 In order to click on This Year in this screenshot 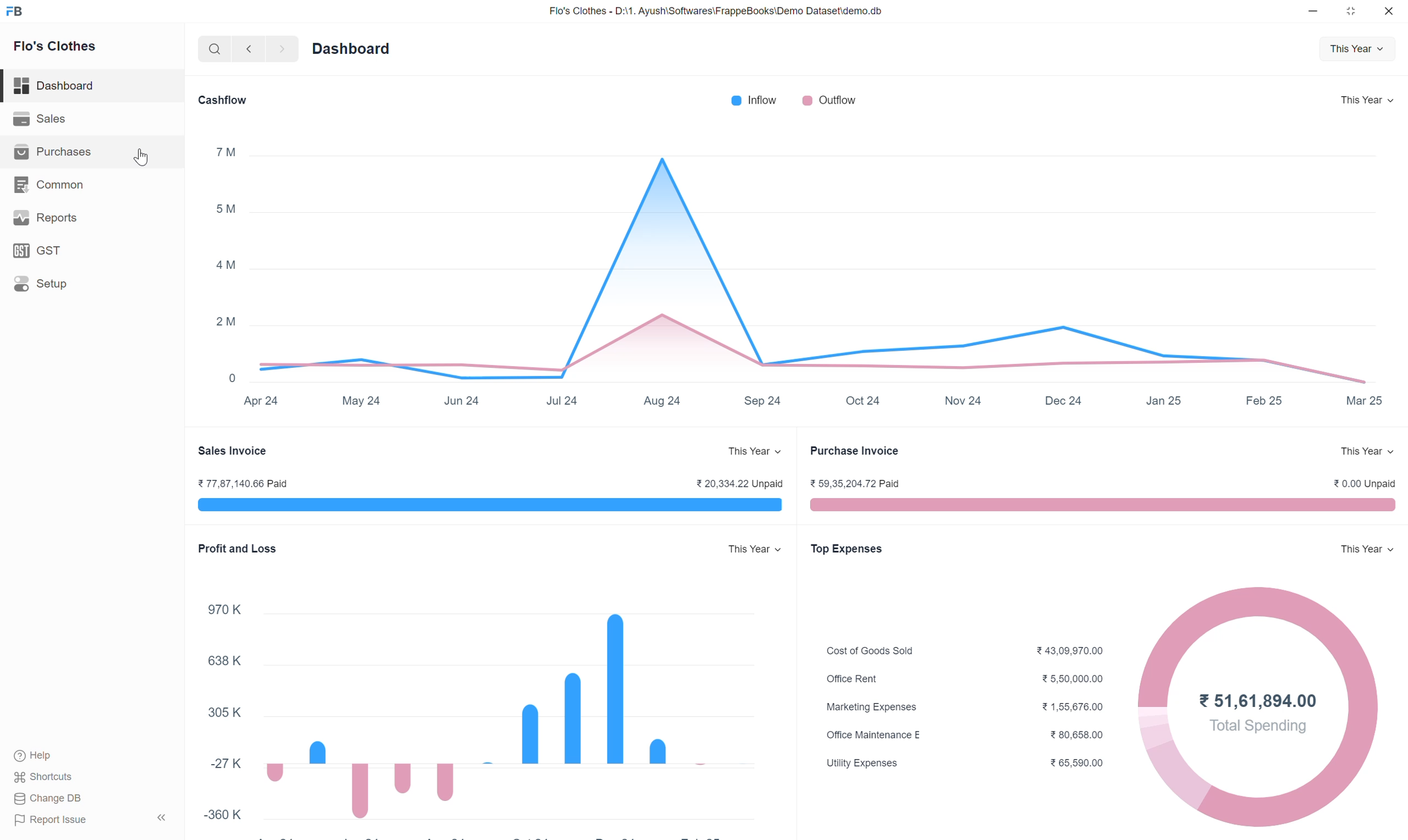, I will do `click(1368, 451)`.